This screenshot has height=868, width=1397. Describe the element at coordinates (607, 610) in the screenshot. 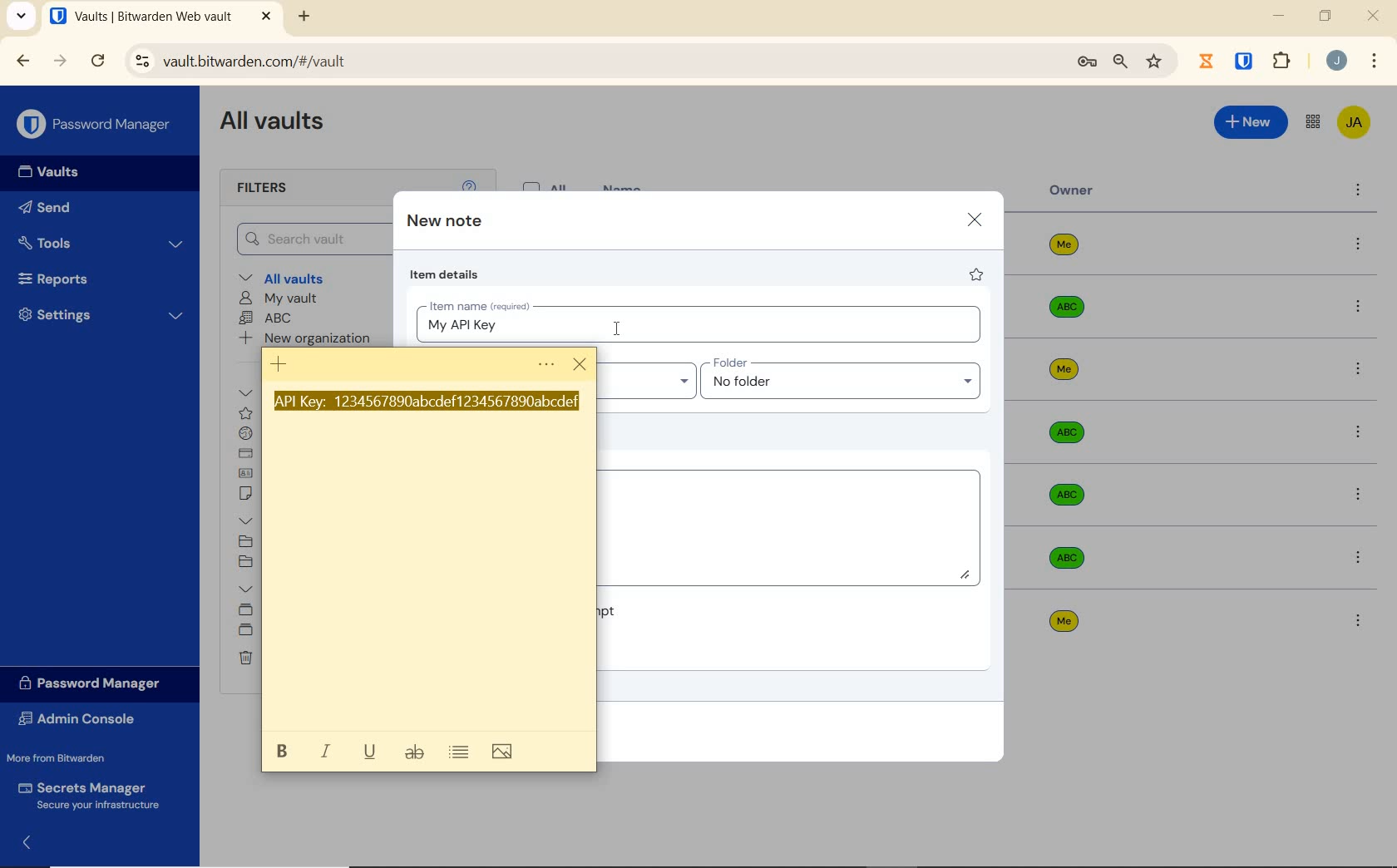

I see `Master password re-prompt` at that location.